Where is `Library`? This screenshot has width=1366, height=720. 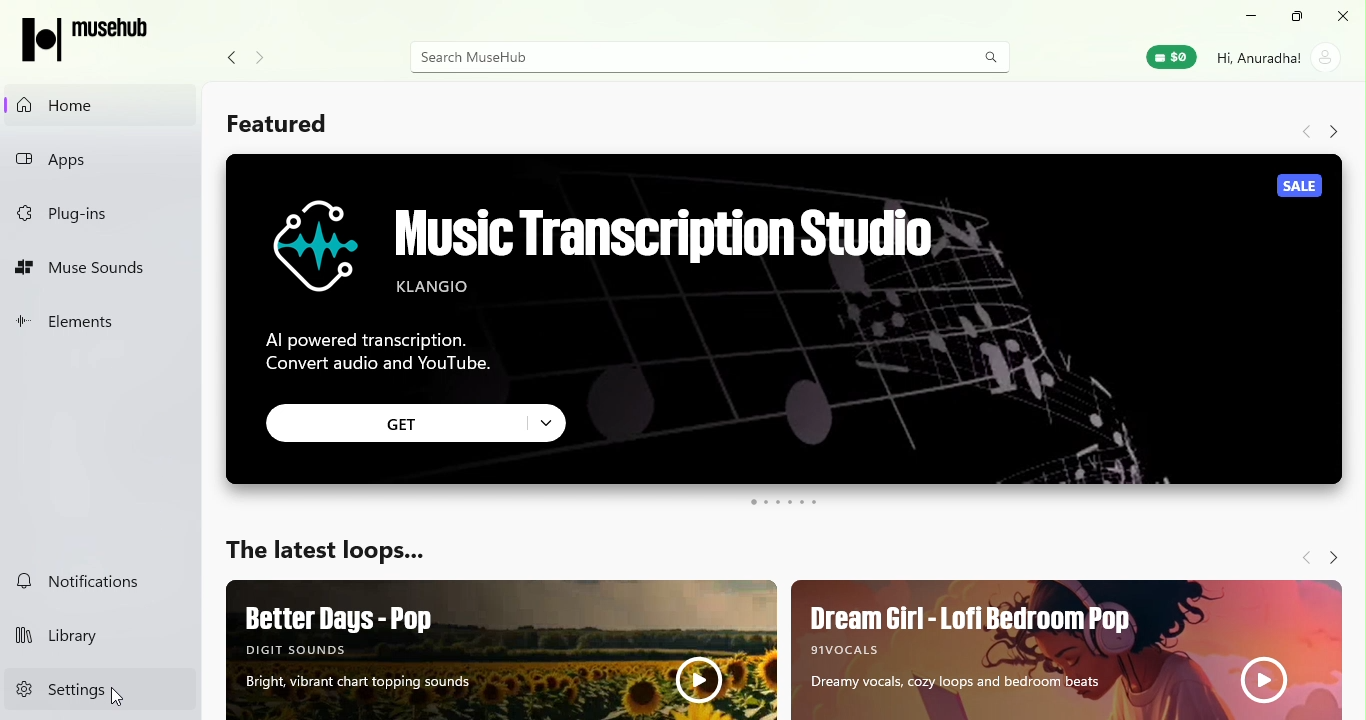 Library is located at coordinates (102, 637).